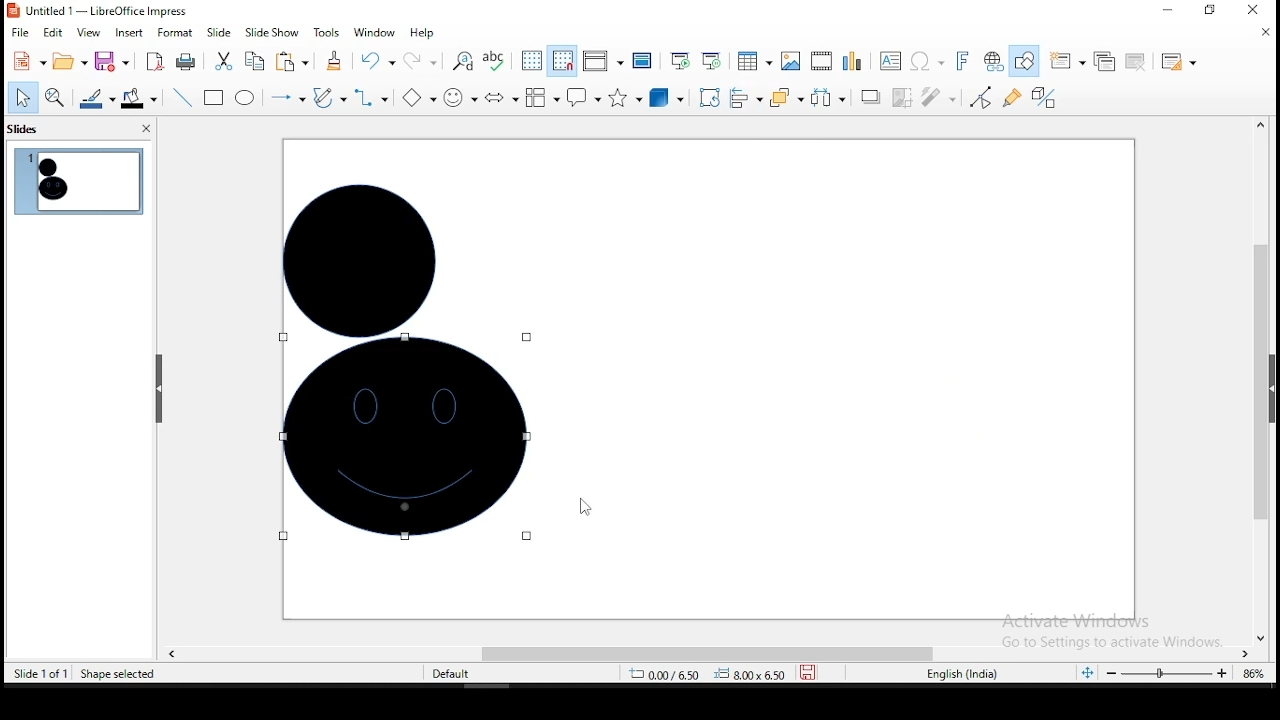  What do you see at coordinates (372, 97) in the screenshot?
I see `connectors` at bounding box center [372, 97].